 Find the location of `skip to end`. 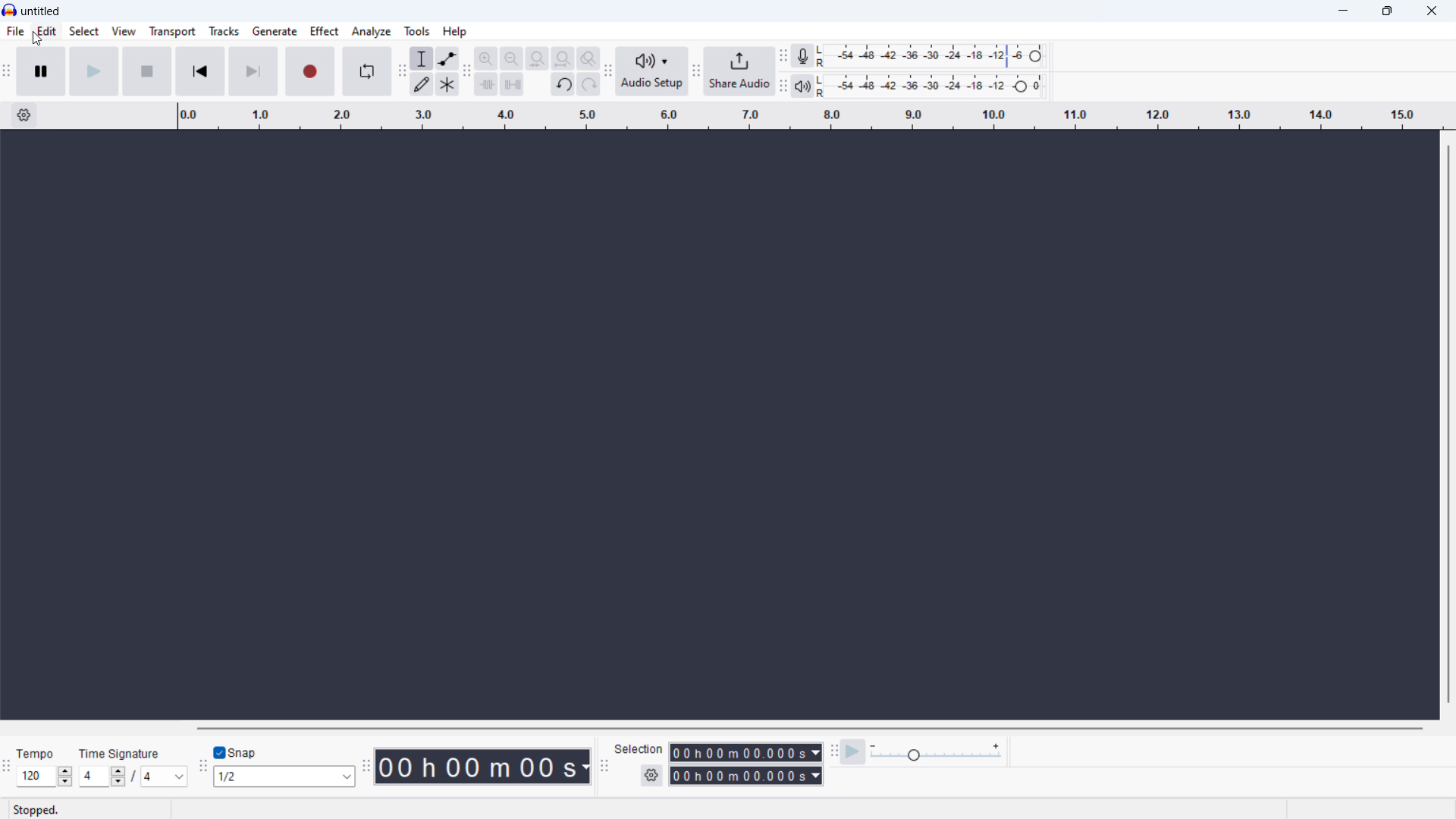

skip to end is located at coordinates (255, 71).